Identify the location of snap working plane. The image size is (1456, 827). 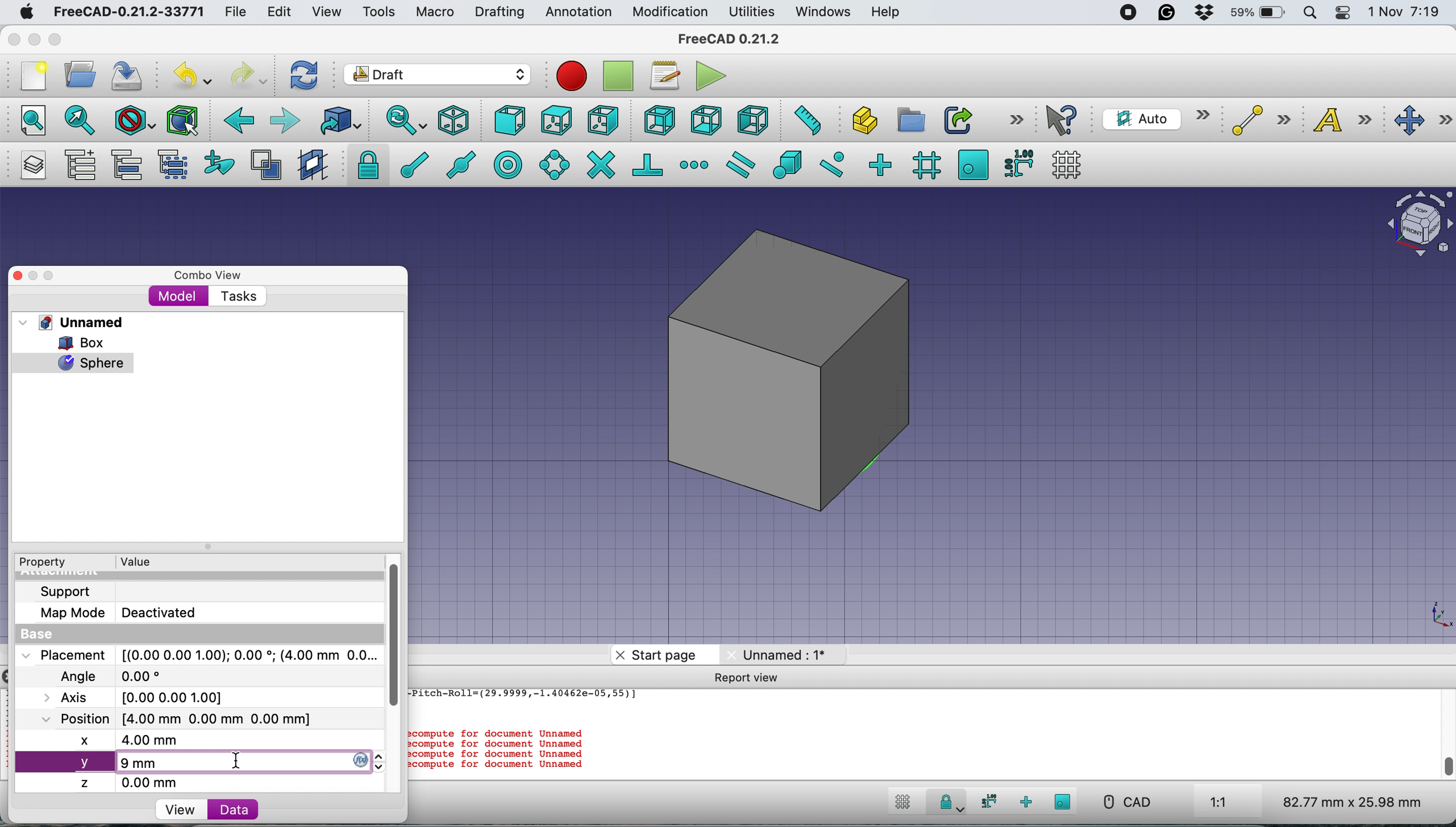
(1063, 801).